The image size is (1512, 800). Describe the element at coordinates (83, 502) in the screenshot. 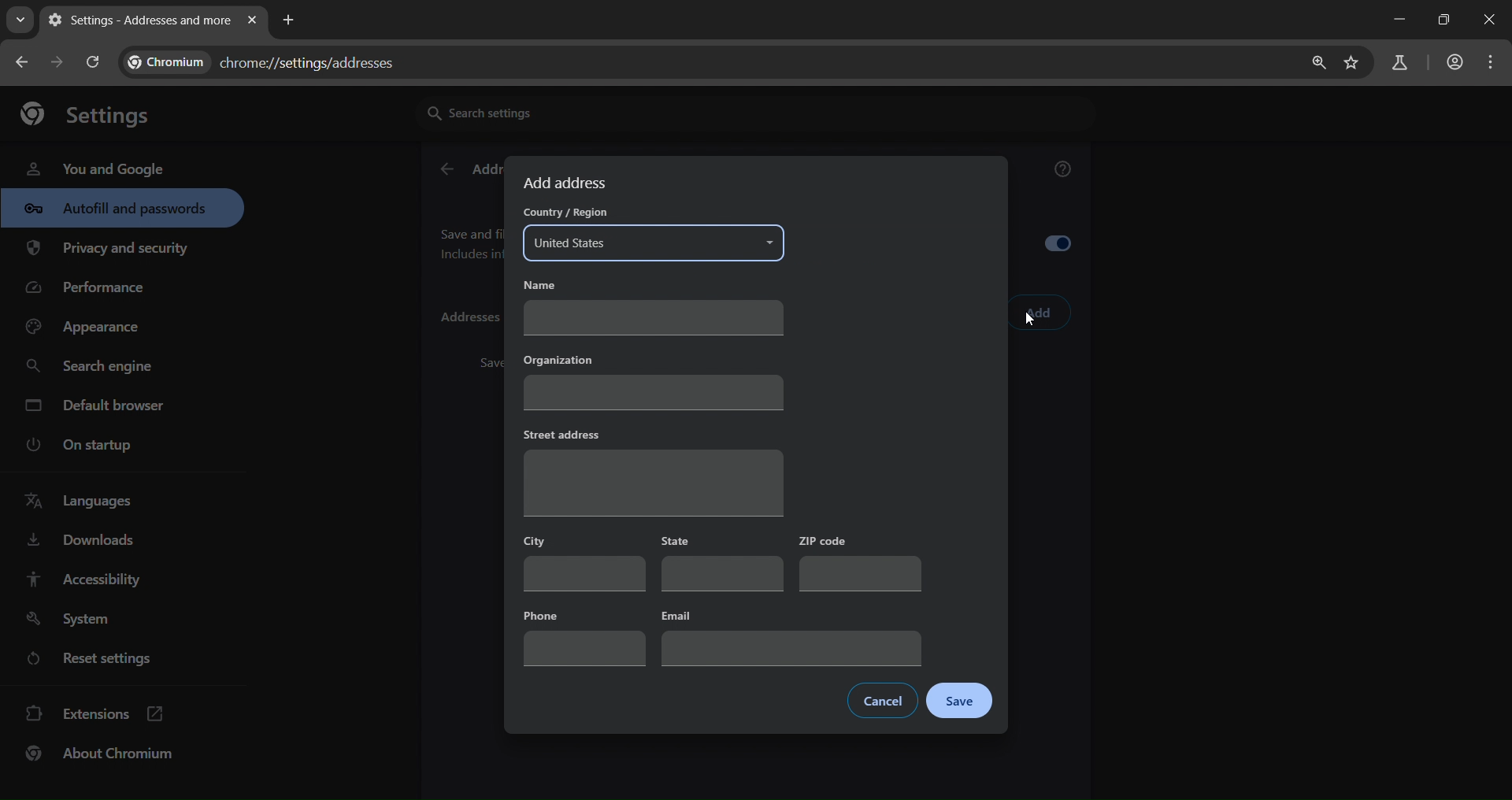

I see `language` at that location.